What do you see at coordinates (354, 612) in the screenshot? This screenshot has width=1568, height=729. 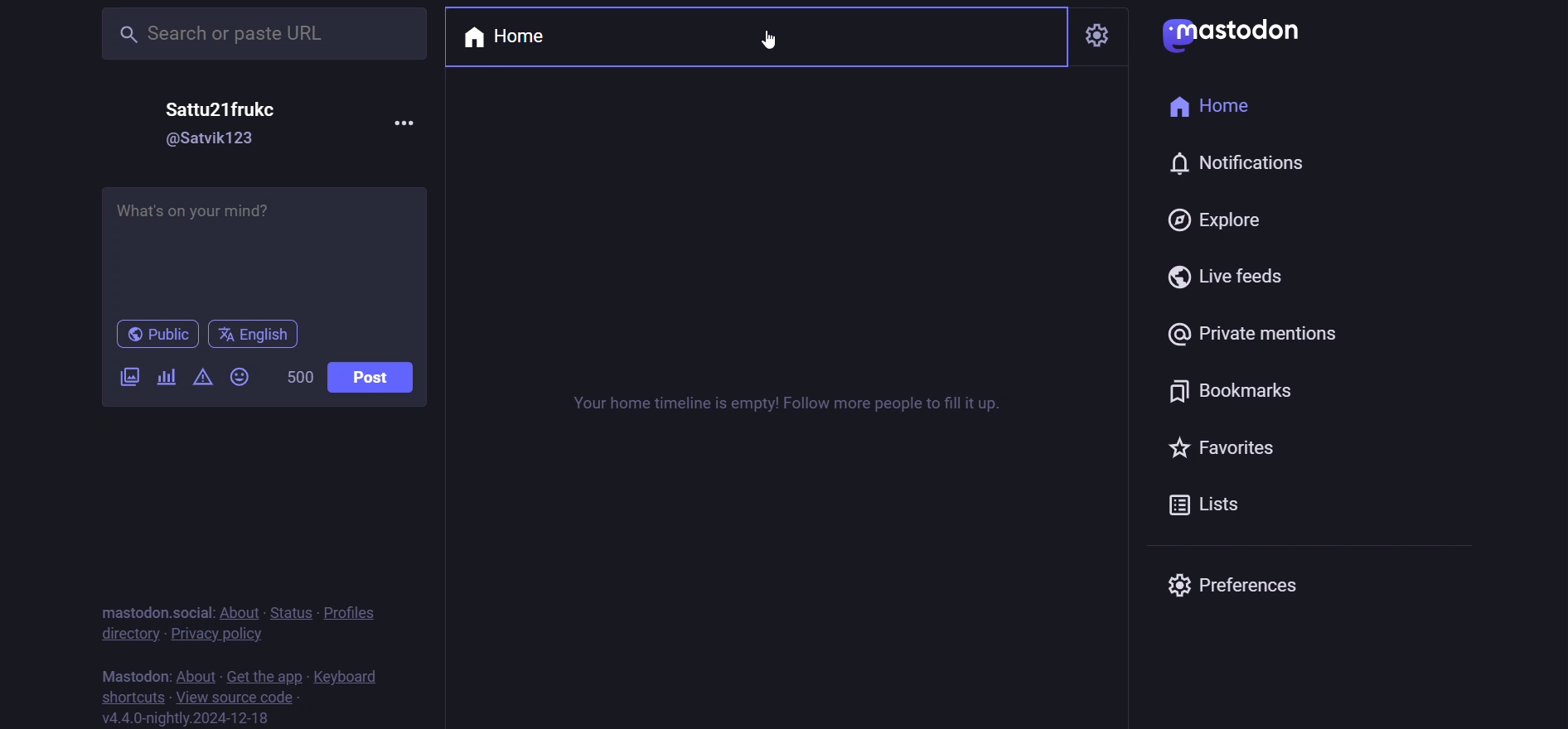 I see `profiles` at bounding box center [354, 612].